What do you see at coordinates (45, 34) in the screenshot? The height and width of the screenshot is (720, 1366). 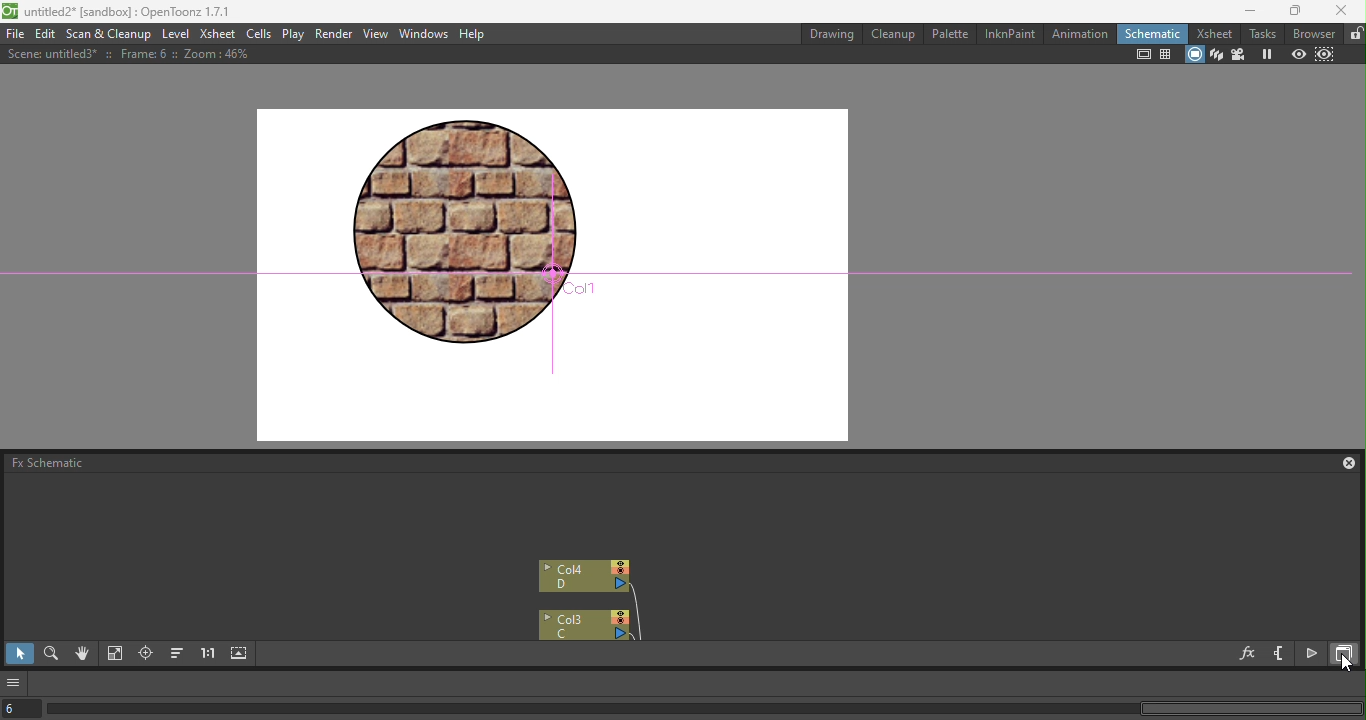 I see `Edit` at bounding box center [45, 34].